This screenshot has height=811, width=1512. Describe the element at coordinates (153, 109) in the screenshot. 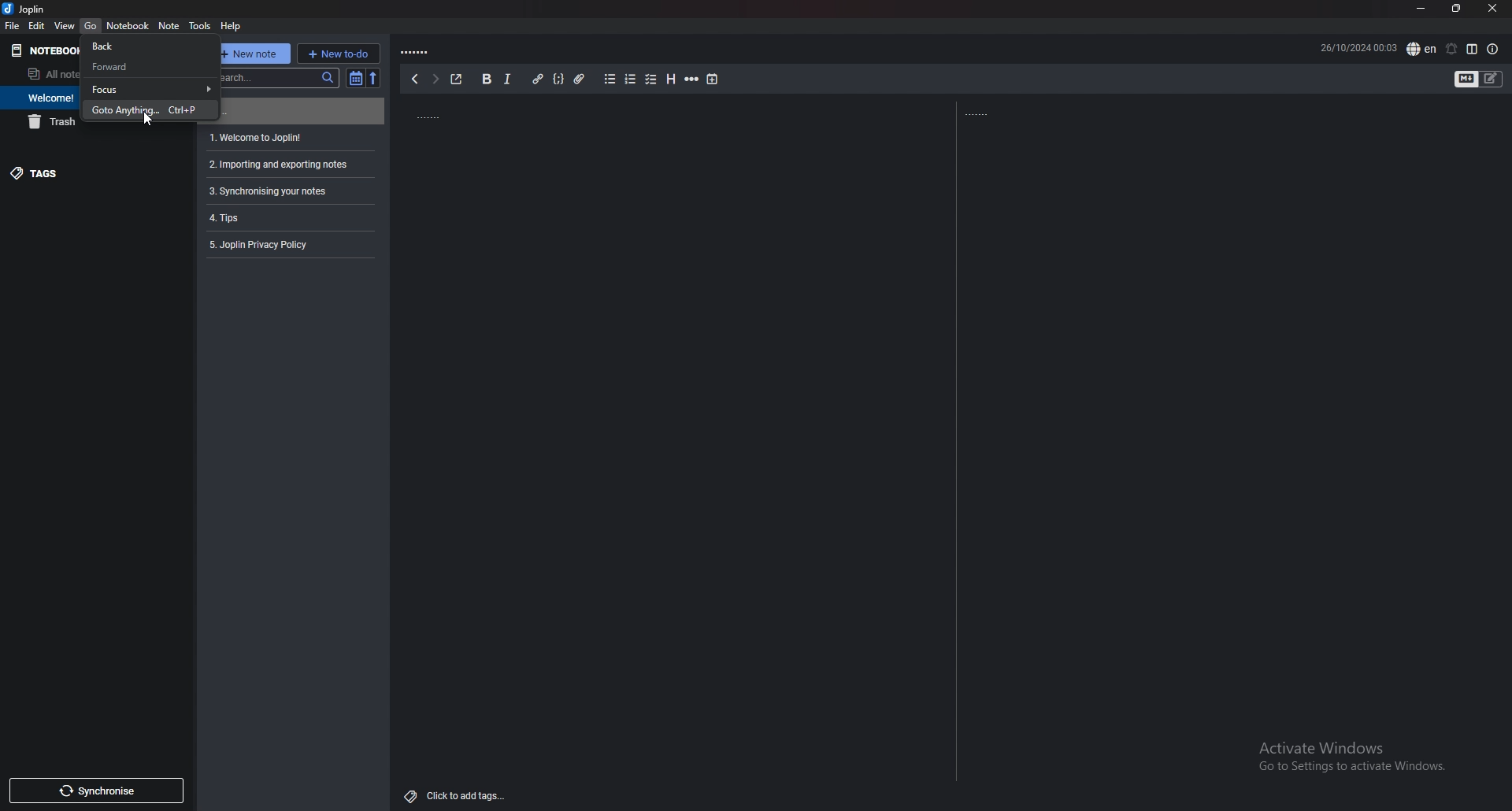

I see `goto anything` at that location.